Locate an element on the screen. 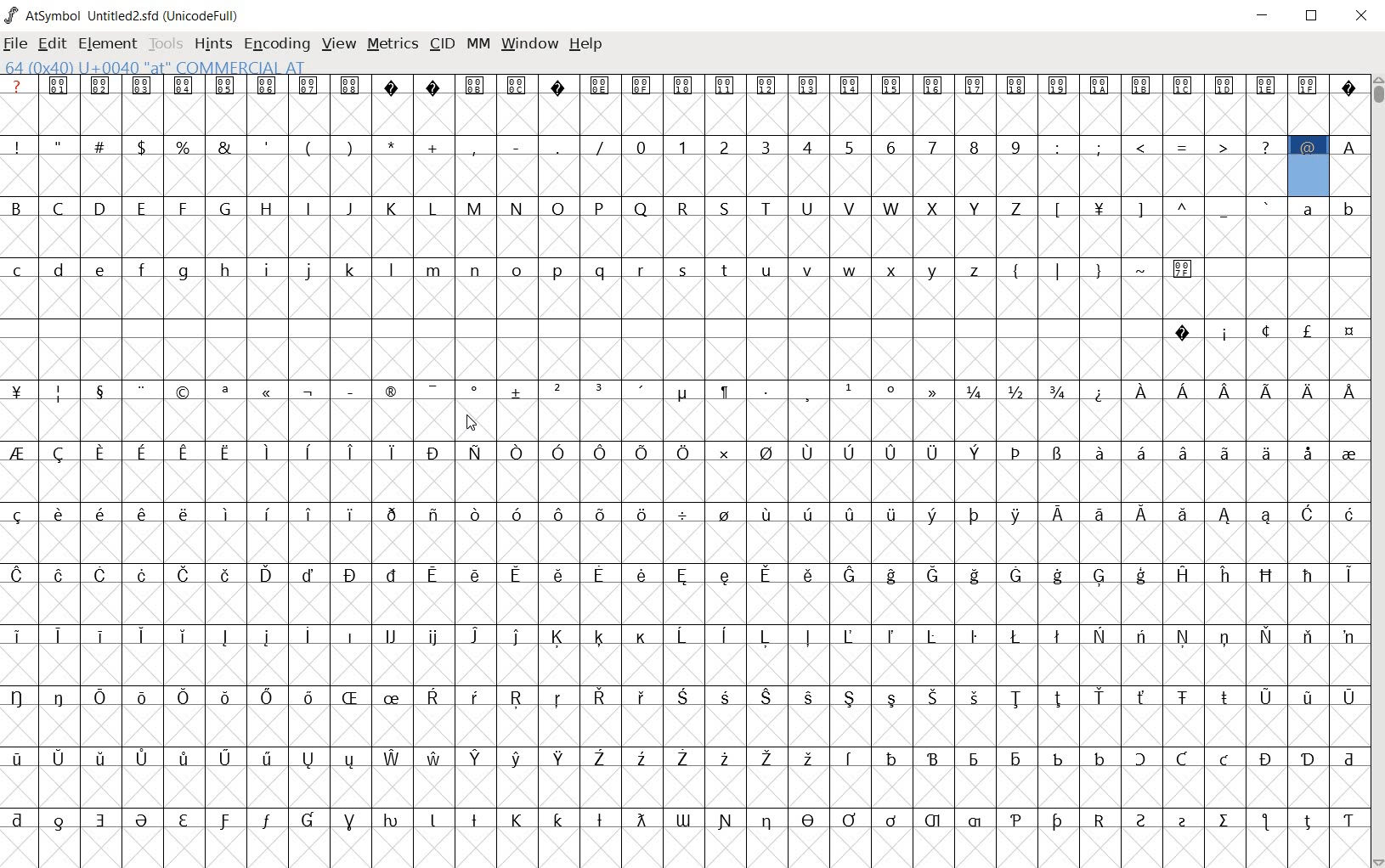  empty glyph slot is located at coordinates (681, 786).